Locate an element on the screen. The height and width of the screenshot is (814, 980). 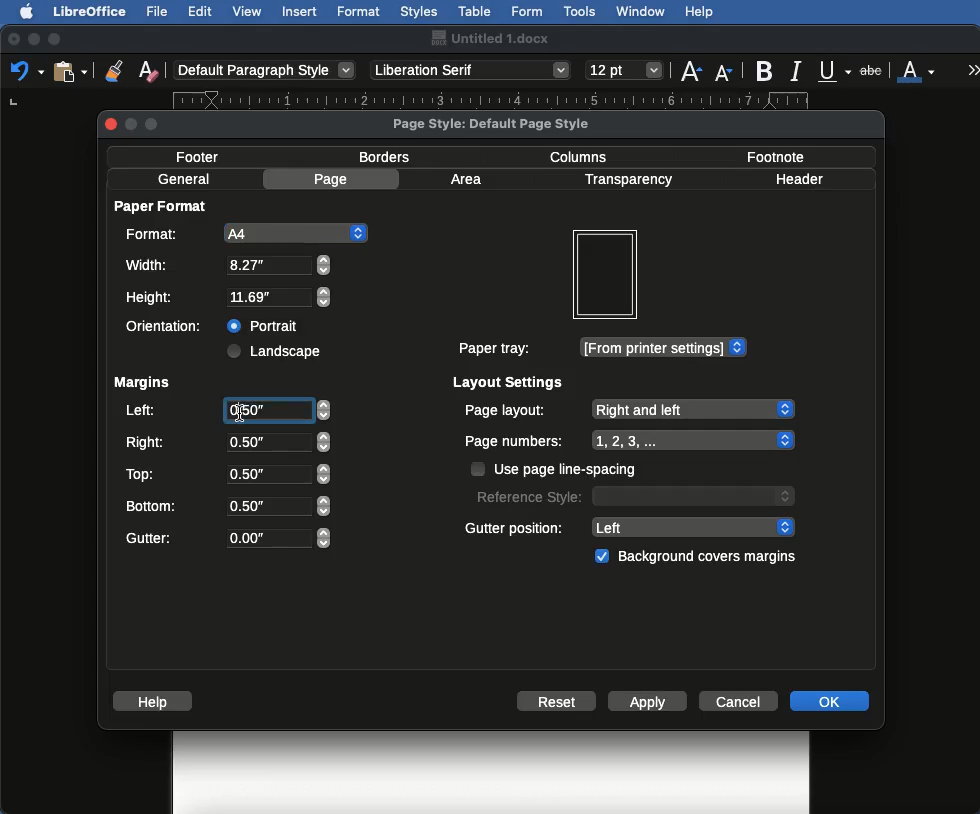
Gutter is located at coordinates (228, 539).